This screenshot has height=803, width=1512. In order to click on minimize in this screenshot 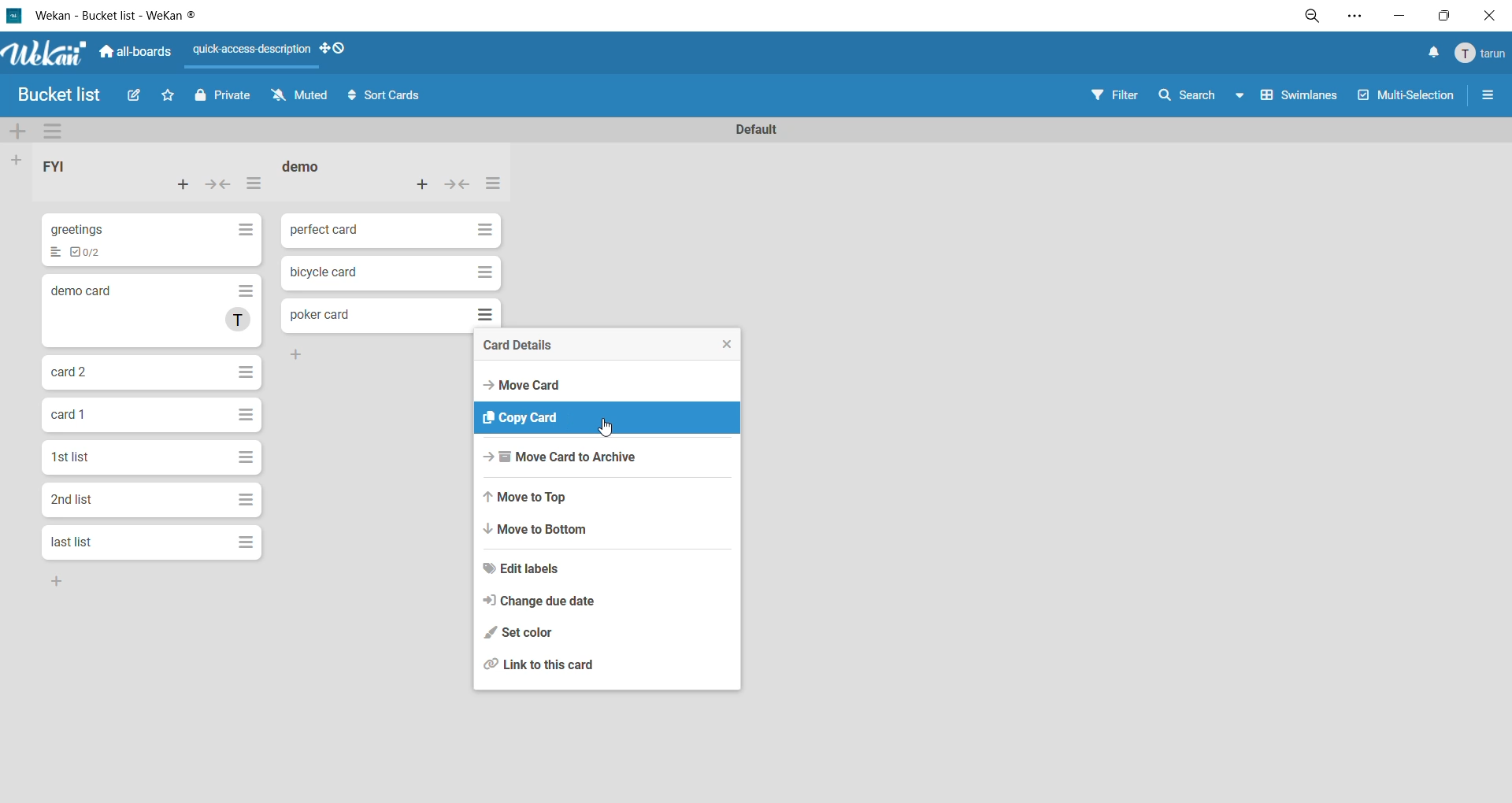, I will do `click(1395, 16)`.